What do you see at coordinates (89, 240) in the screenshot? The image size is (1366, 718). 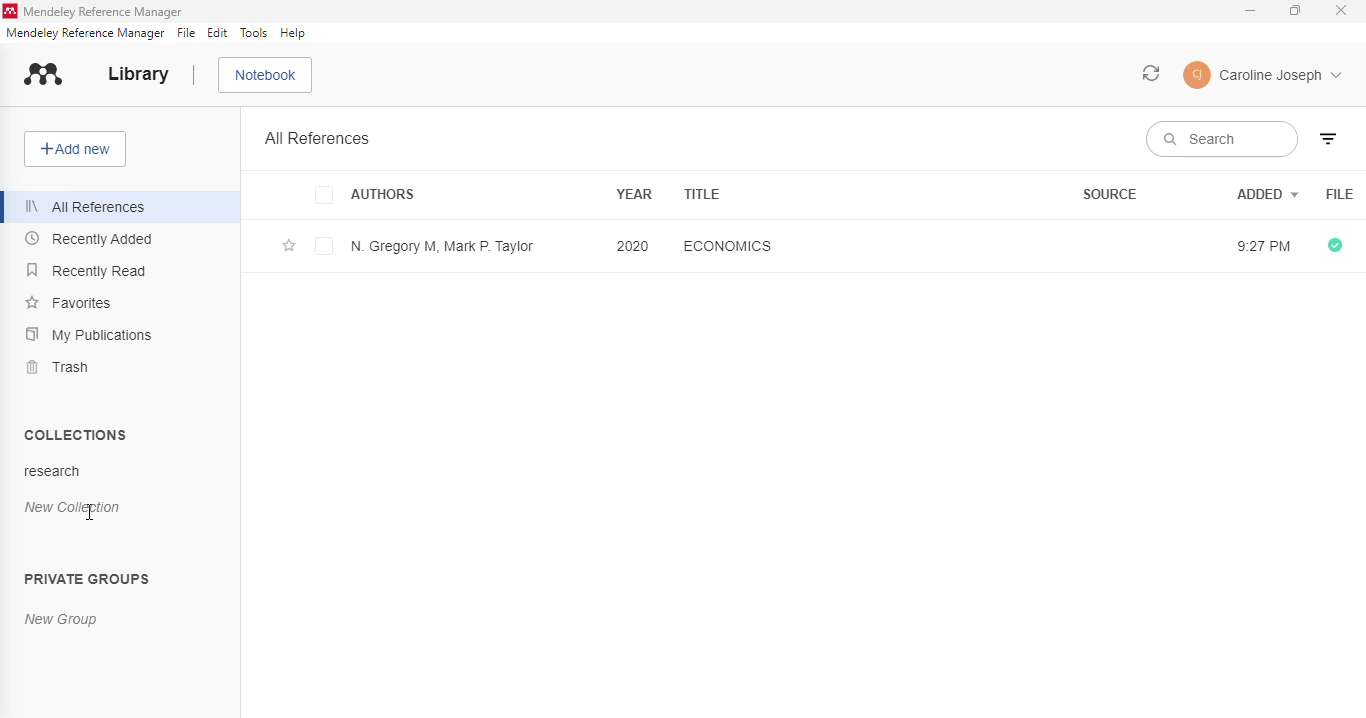 I see `recently added` at bounding box center [89, 240].